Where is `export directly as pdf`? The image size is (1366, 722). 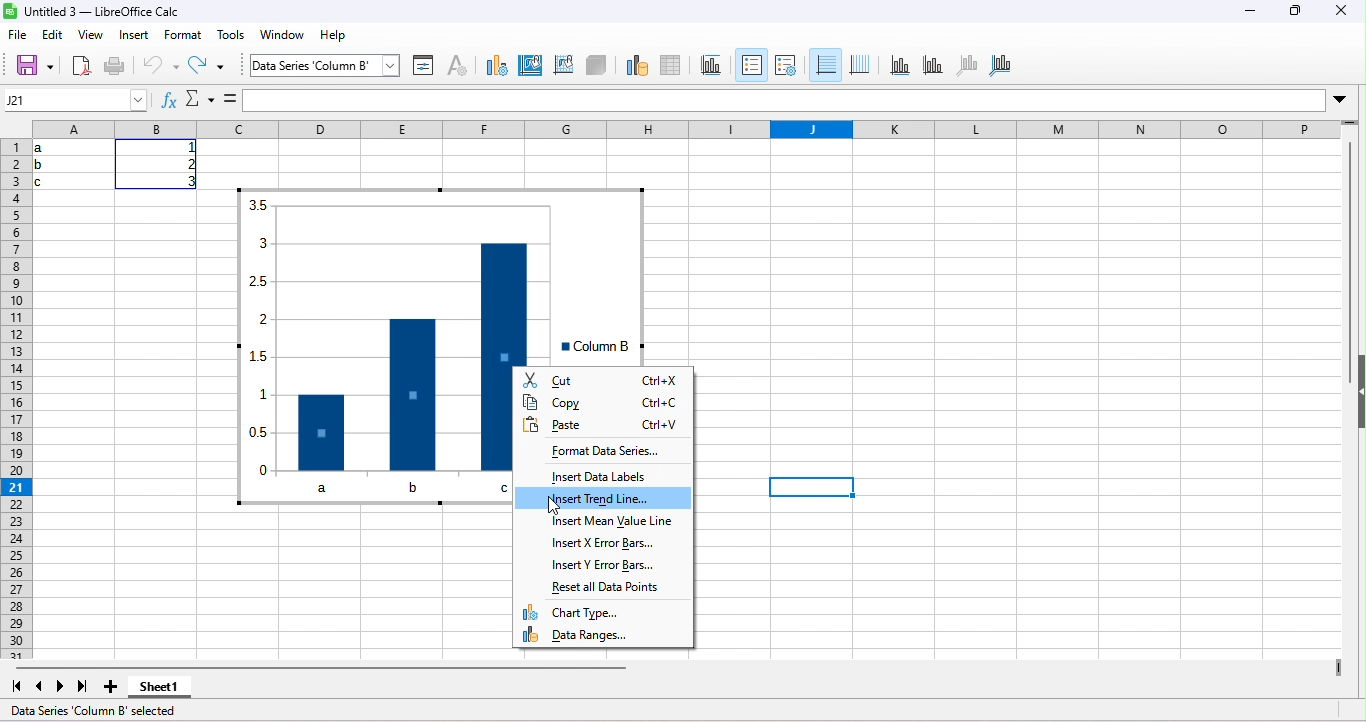
export directly as pdf is located at coordinates (82, 67).